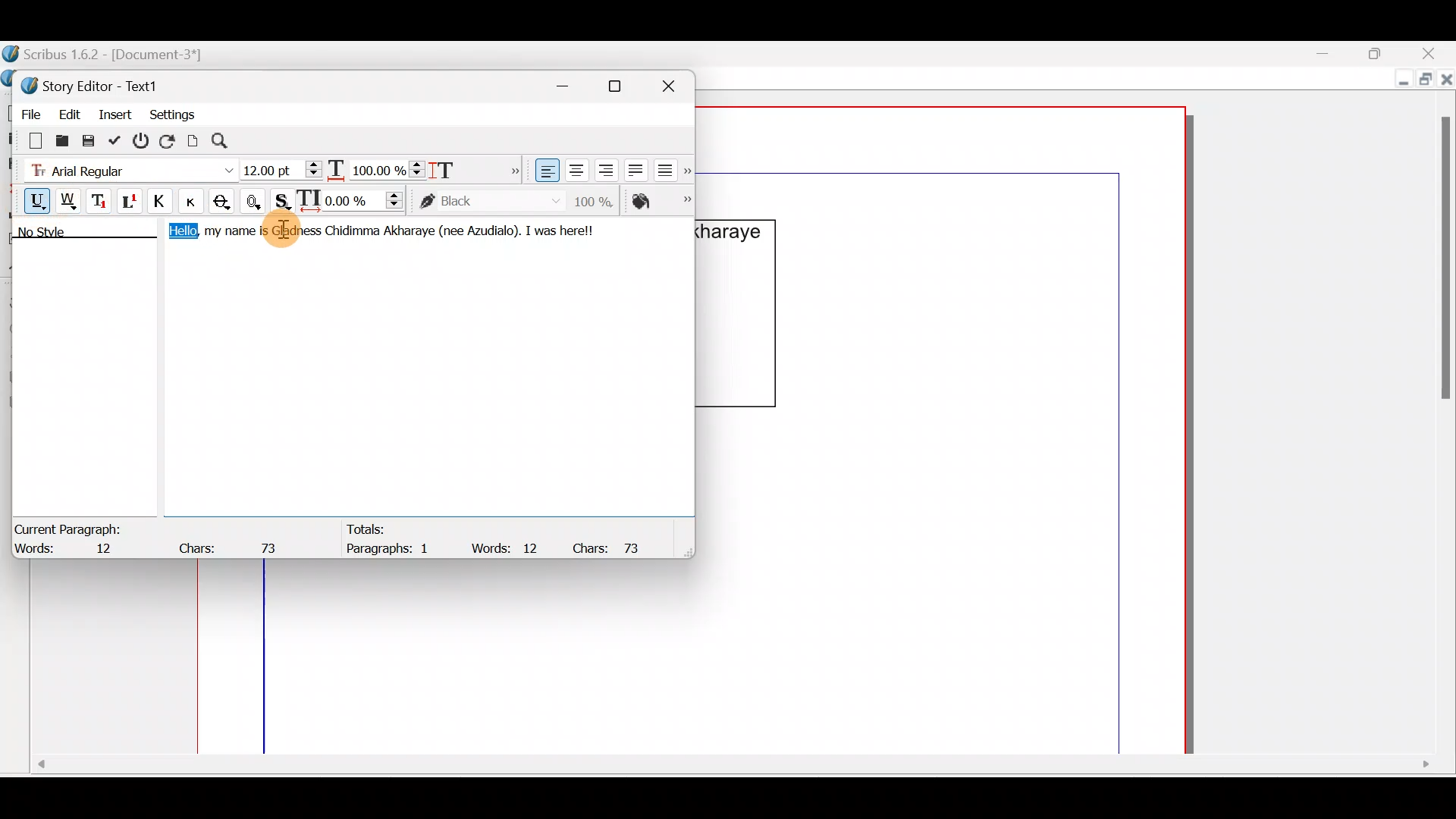 The height and width of the screenshot is (819, 1456). Describe the element at coordinates (670, 167) in the screenshot. I see `Align text force justified` at that location.